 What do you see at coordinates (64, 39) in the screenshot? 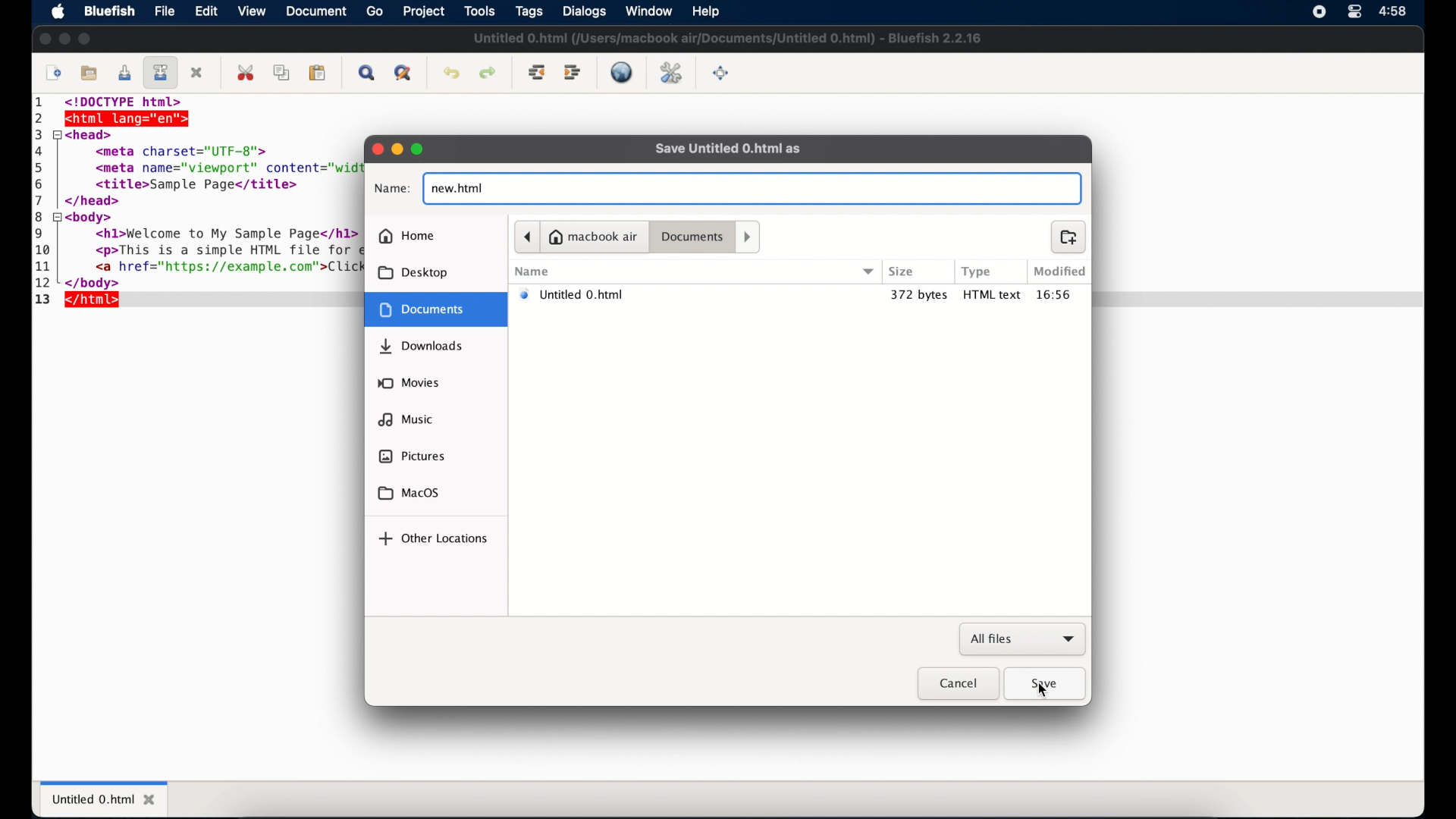
I see `minimize` at bounding box center [64, 39].